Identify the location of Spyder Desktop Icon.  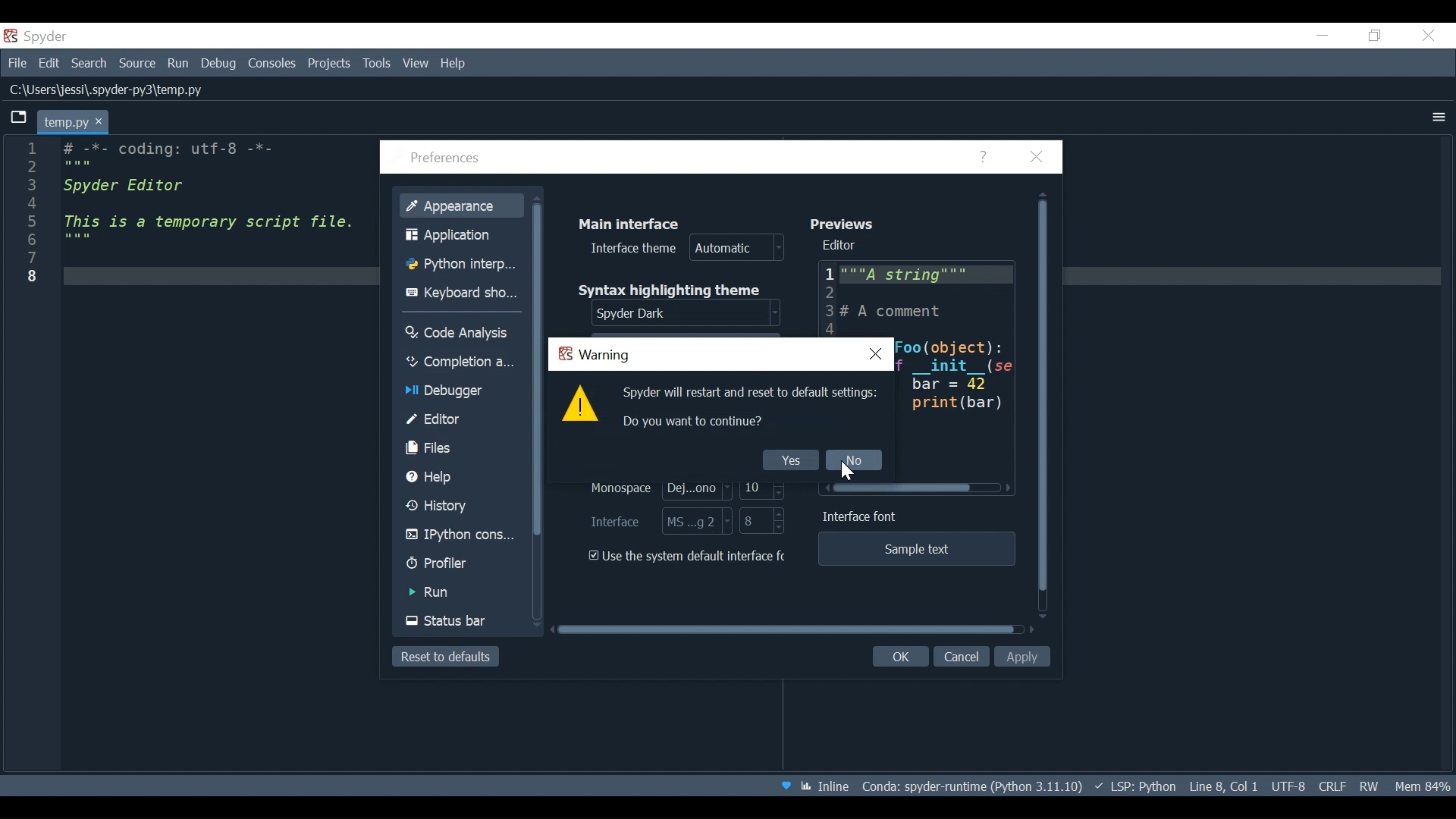
(39, 36).